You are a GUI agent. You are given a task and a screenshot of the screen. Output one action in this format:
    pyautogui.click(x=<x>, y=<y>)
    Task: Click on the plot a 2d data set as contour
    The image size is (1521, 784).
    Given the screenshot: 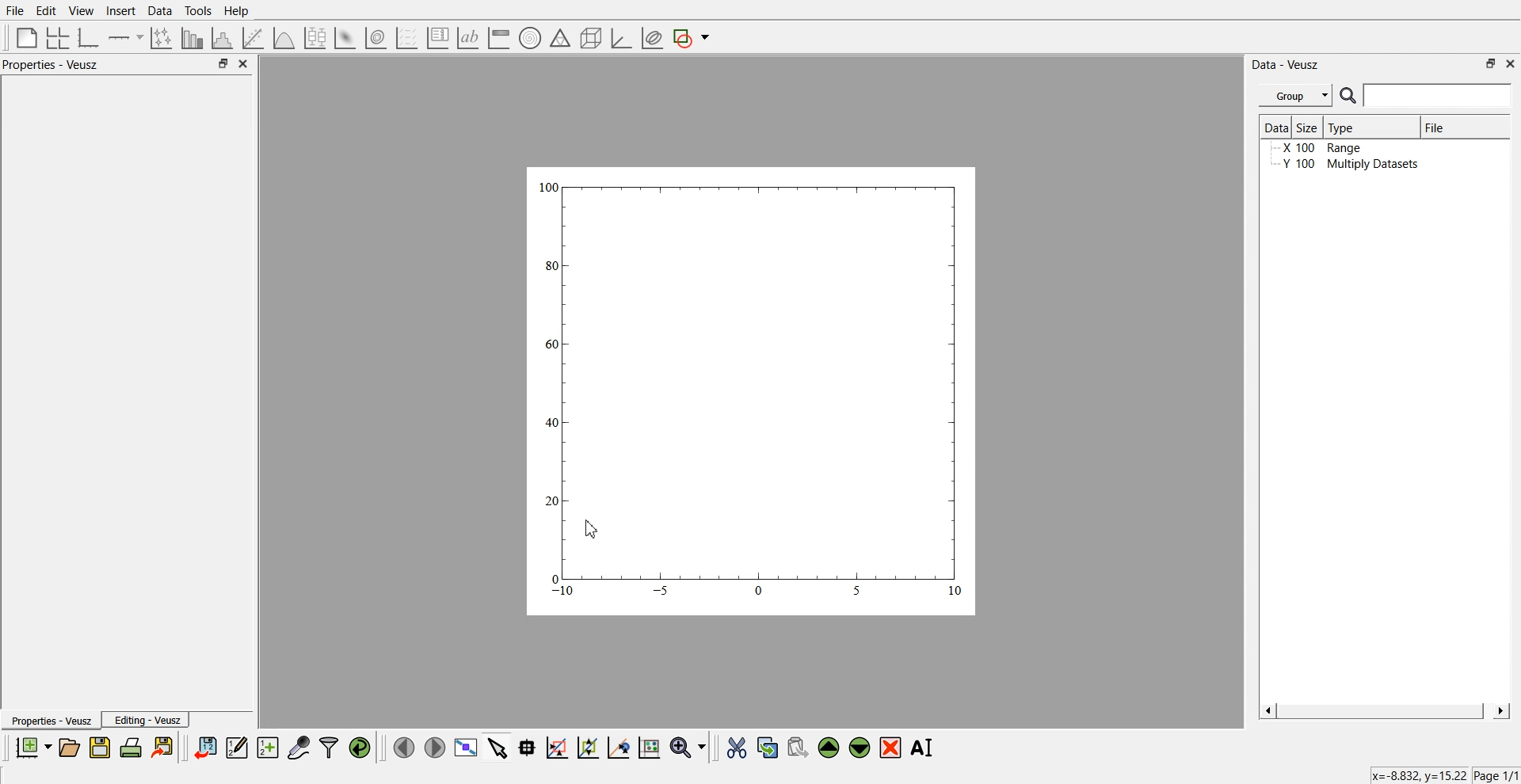 What is the action you would take?
    pyautogui.click(x=375, y=39)
    